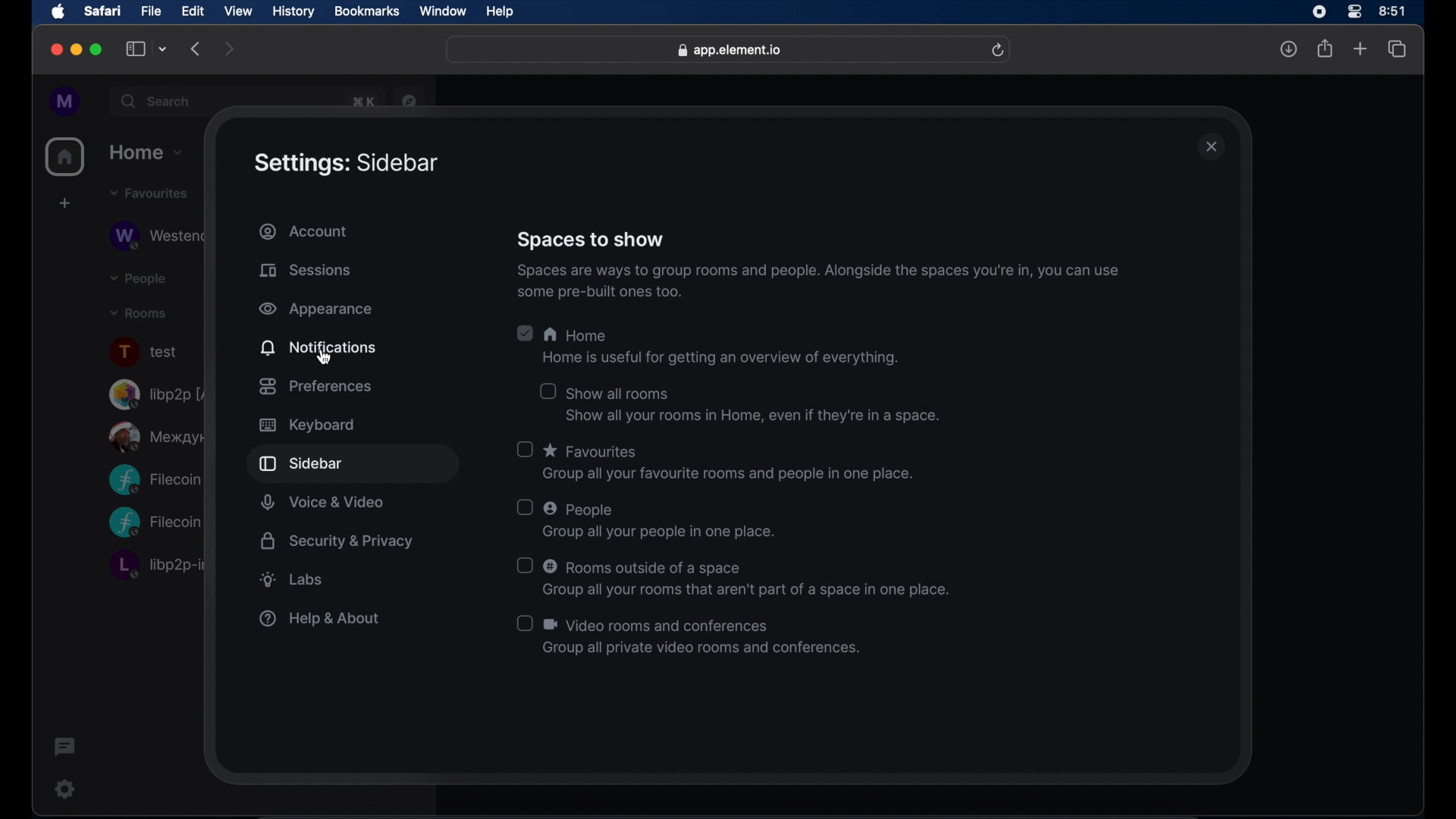 Image resolution: width=1456 pixels, height=819 pixels. Describe the element at coordinates (363, 96) in the screenshot. I see `obscure text` at that location.